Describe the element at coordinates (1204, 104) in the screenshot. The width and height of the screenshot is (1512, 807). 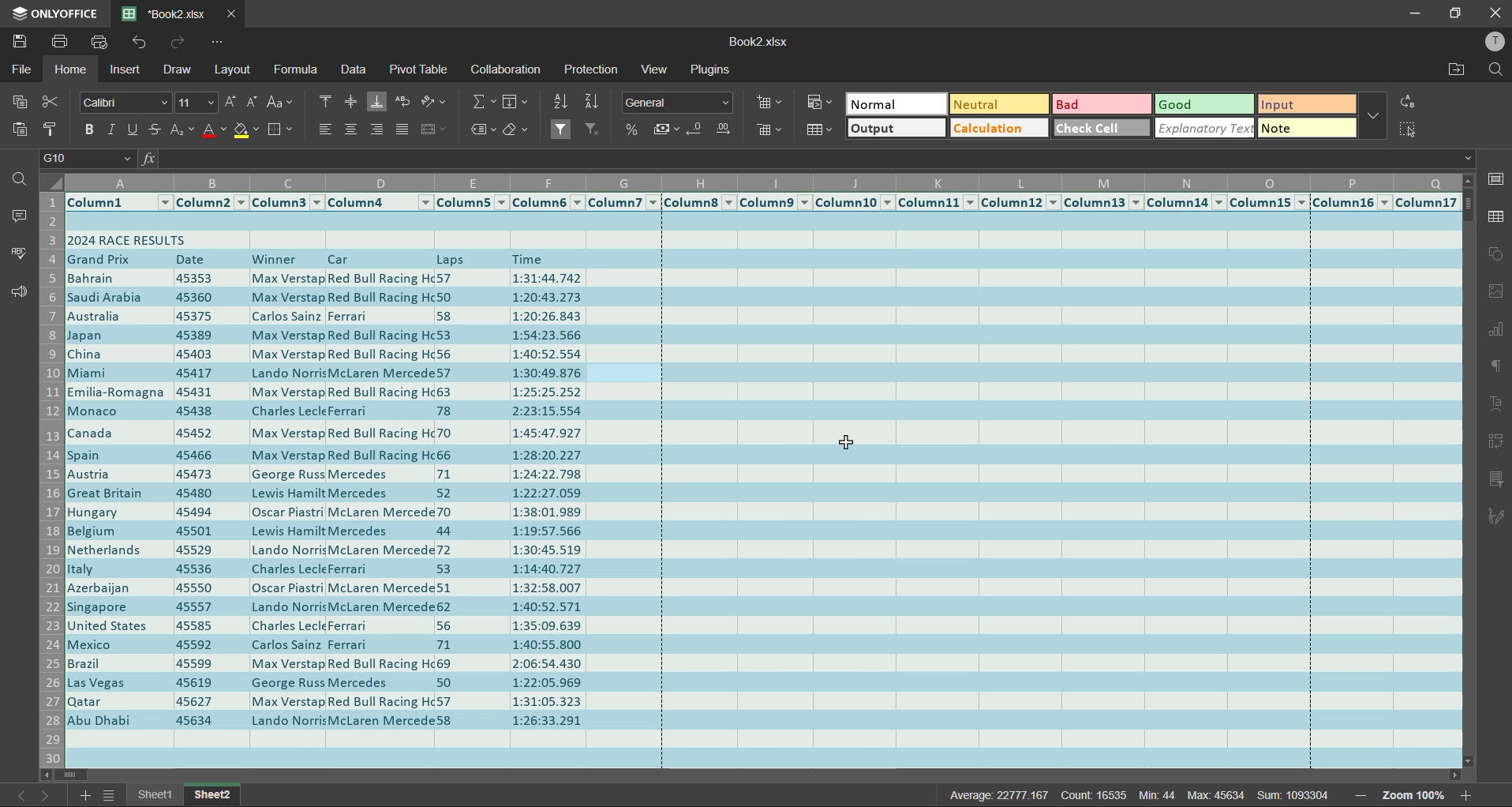
I see `good` at that location.